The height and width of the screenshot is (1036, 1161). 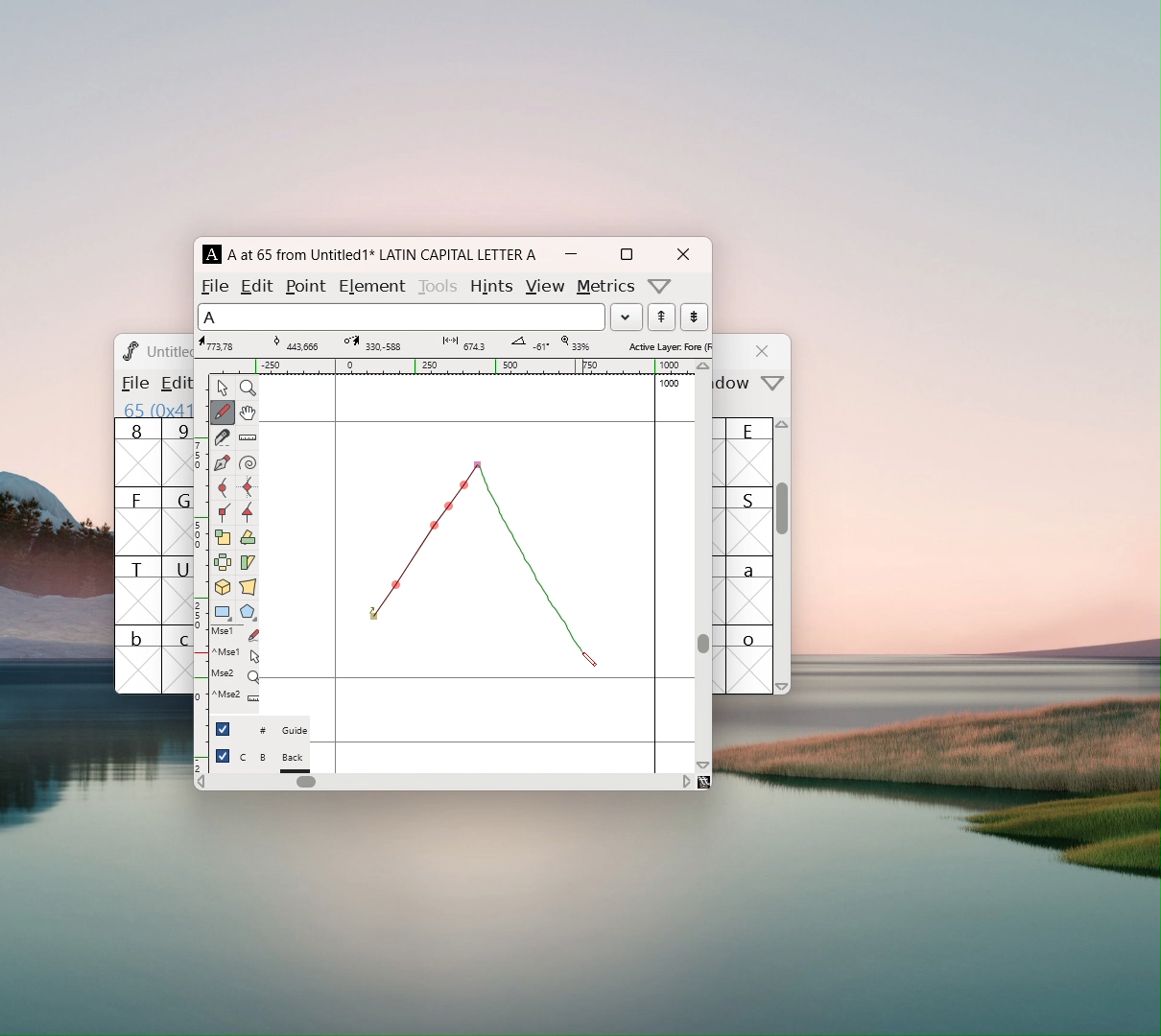 I want to click on left side bearing, so click(x=336, y=573).